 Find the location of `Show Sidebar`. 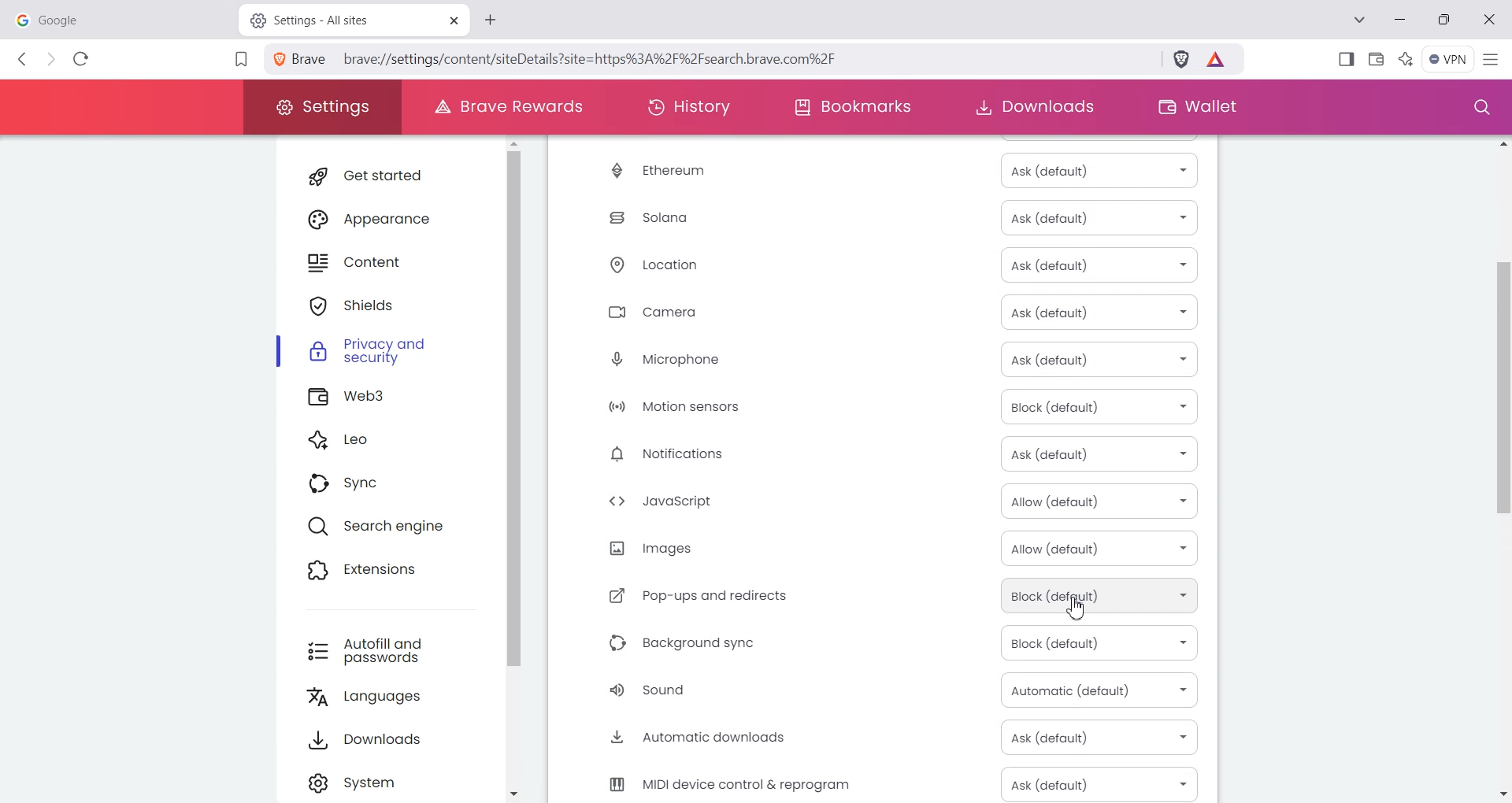

Show Sidebar is located at coordinates (1347, 58).